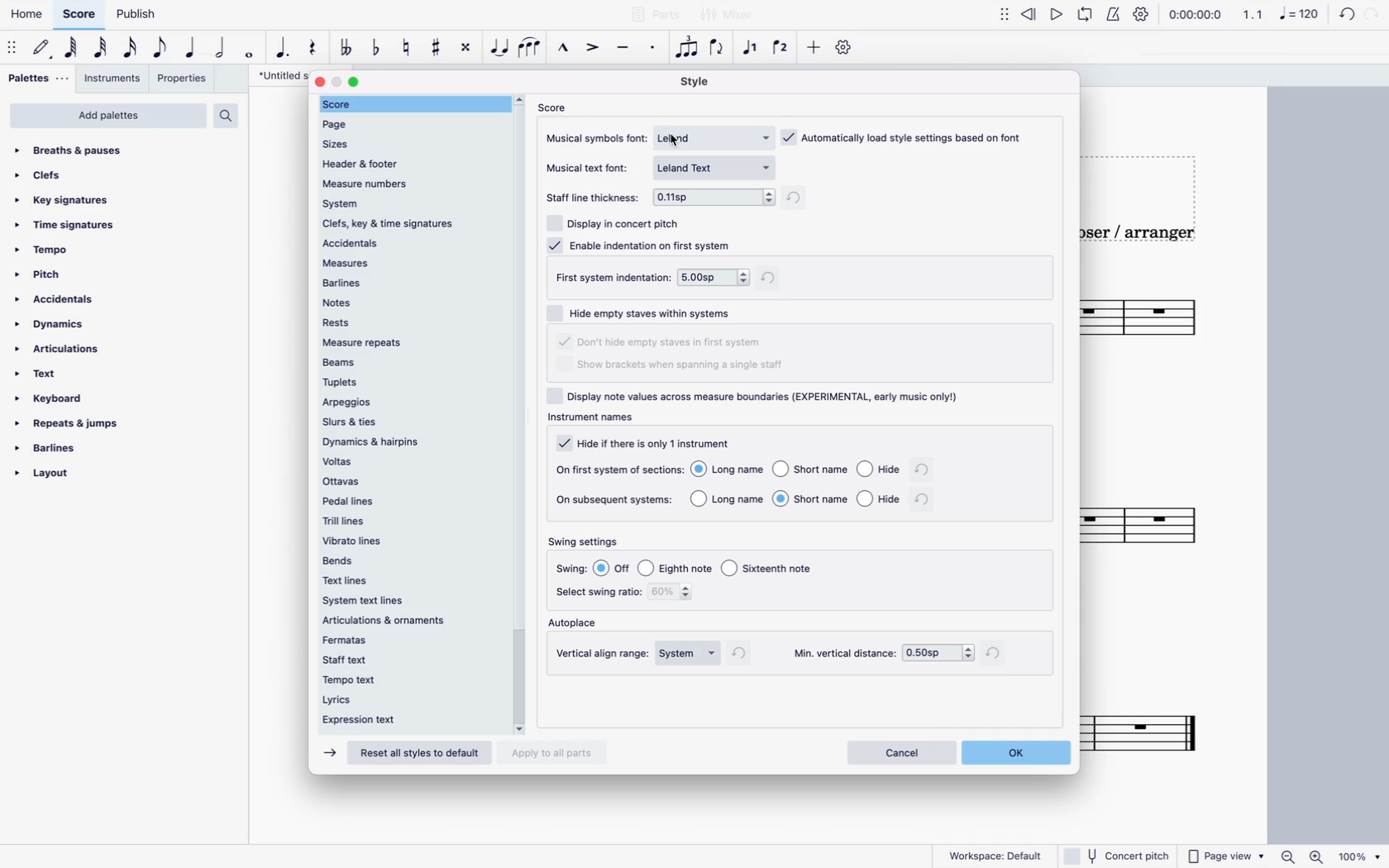 Image resolution: width=1389 pixels, height=868 pixels. What do you see at coordinates (589, 542) in the screenshot?
I see `swing settings` at bounding box center [589, 542].